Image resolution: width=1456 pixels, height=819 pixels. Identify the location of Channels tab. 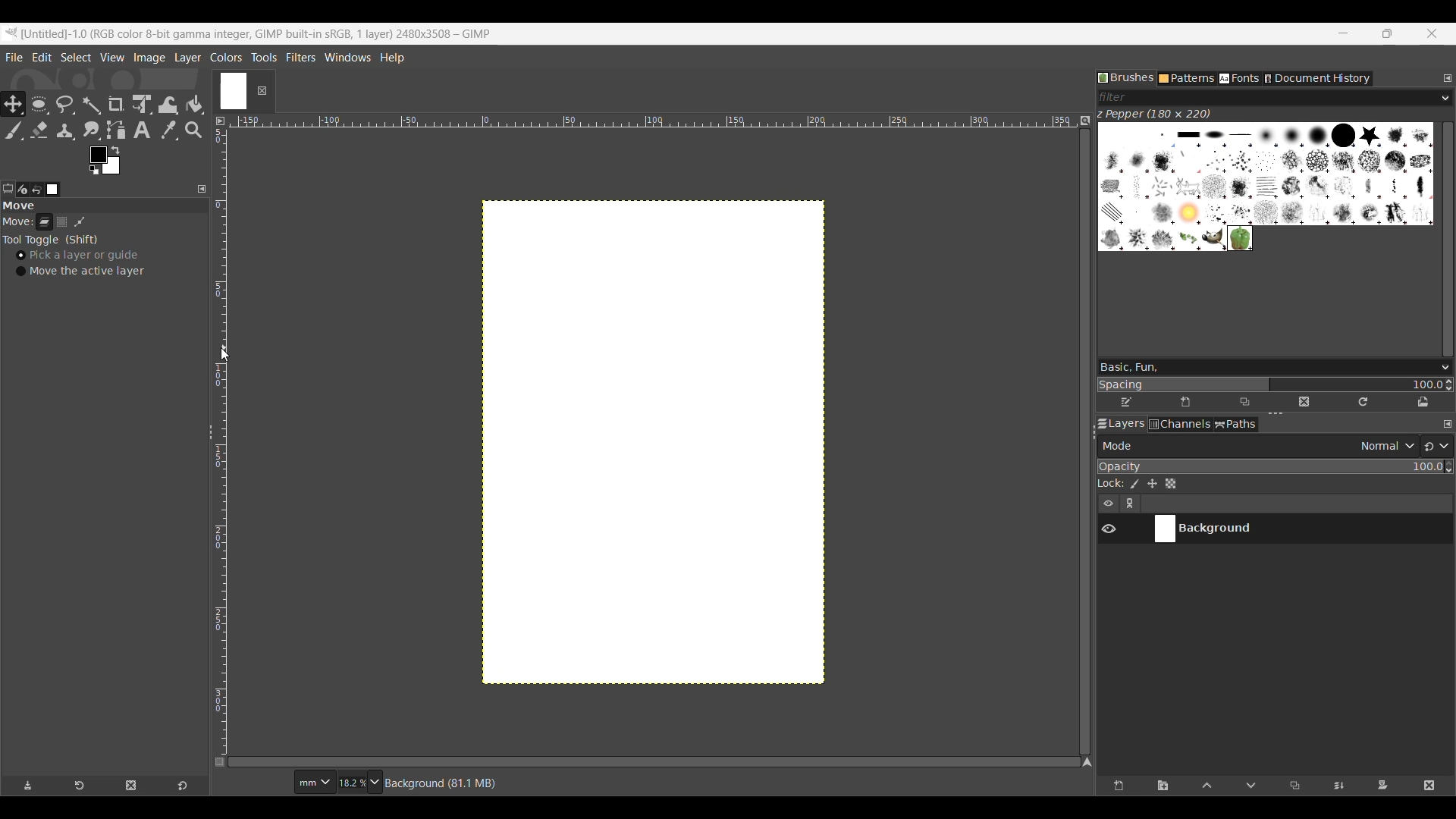
(1180, 424).